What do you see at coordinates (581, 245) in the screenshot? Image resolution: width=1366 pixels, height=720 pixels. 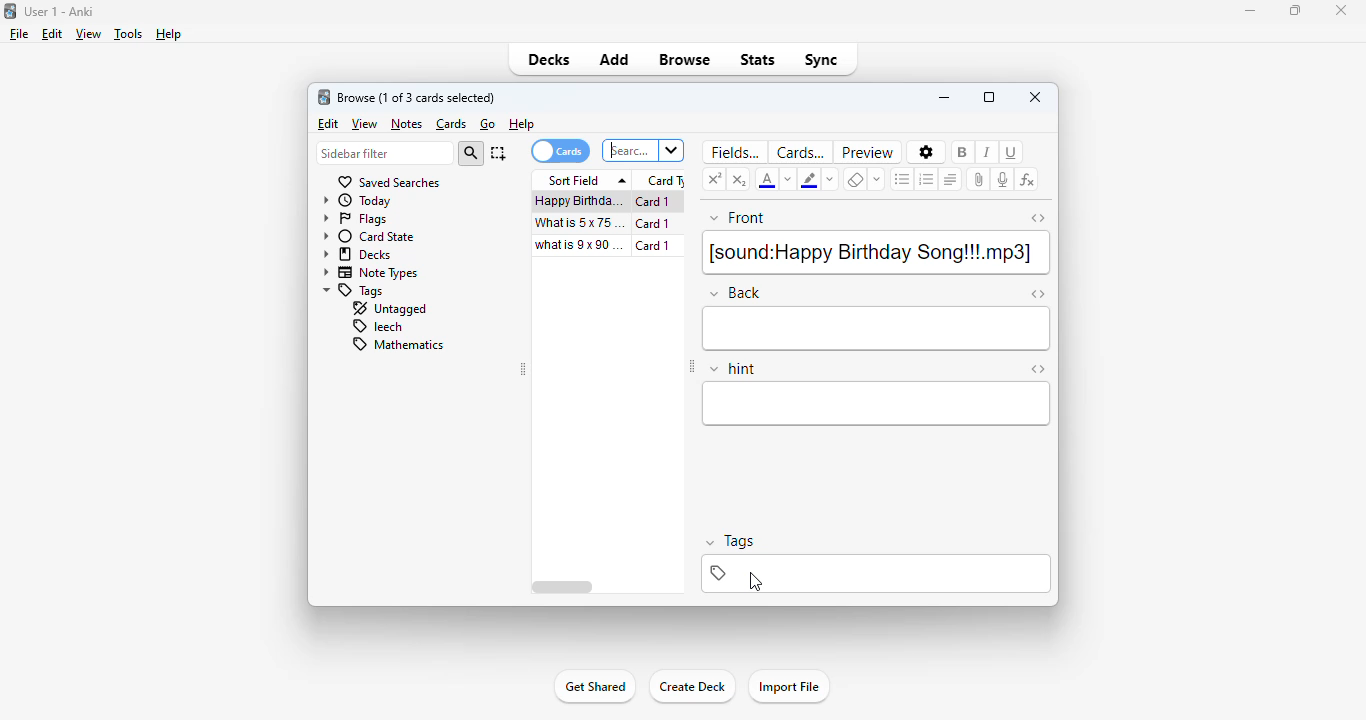 I see `what is 9x90=?` at bounding box center [581, 245].